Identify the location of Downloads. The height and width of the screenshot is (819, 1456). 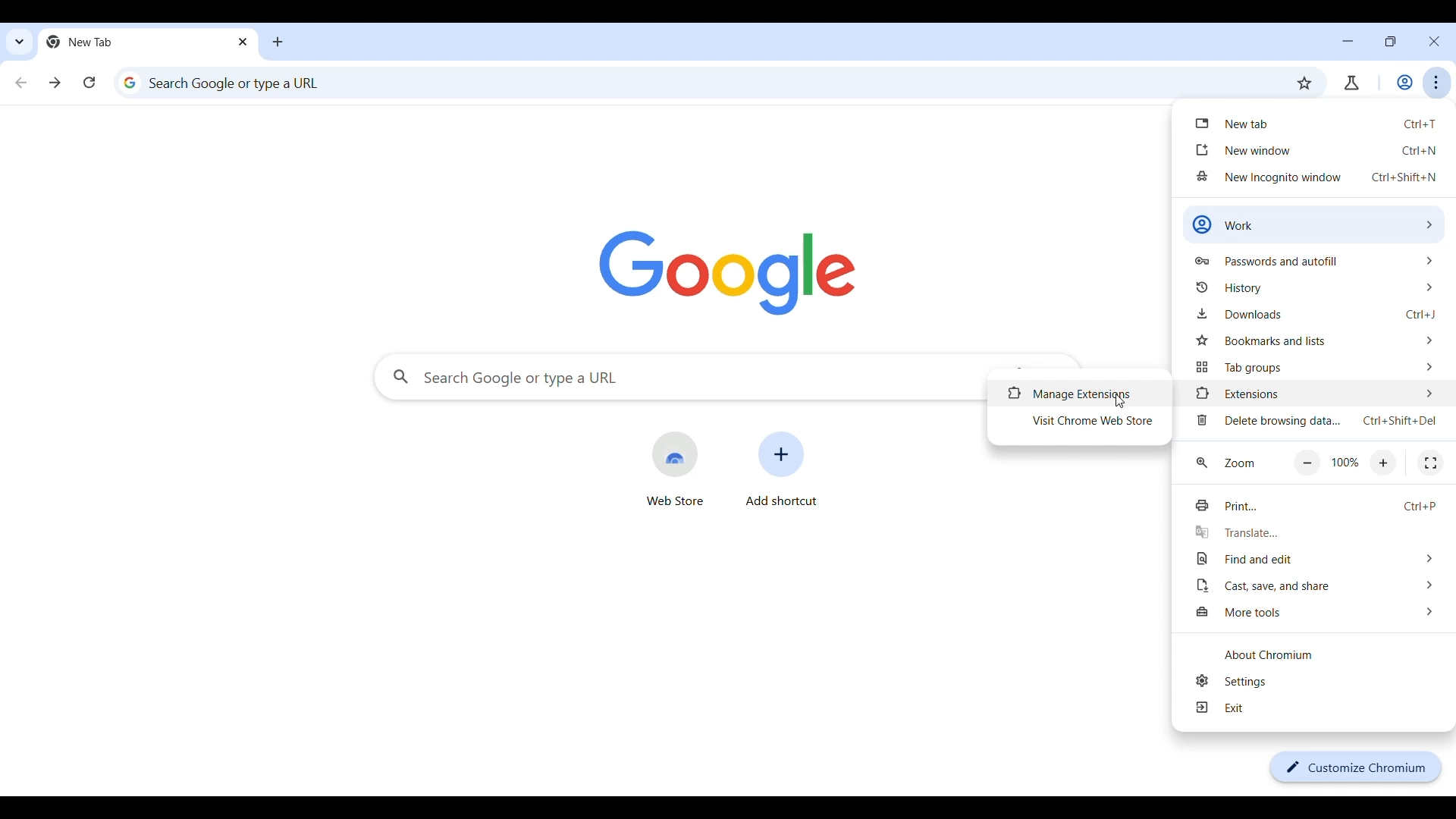
(1316, 314).